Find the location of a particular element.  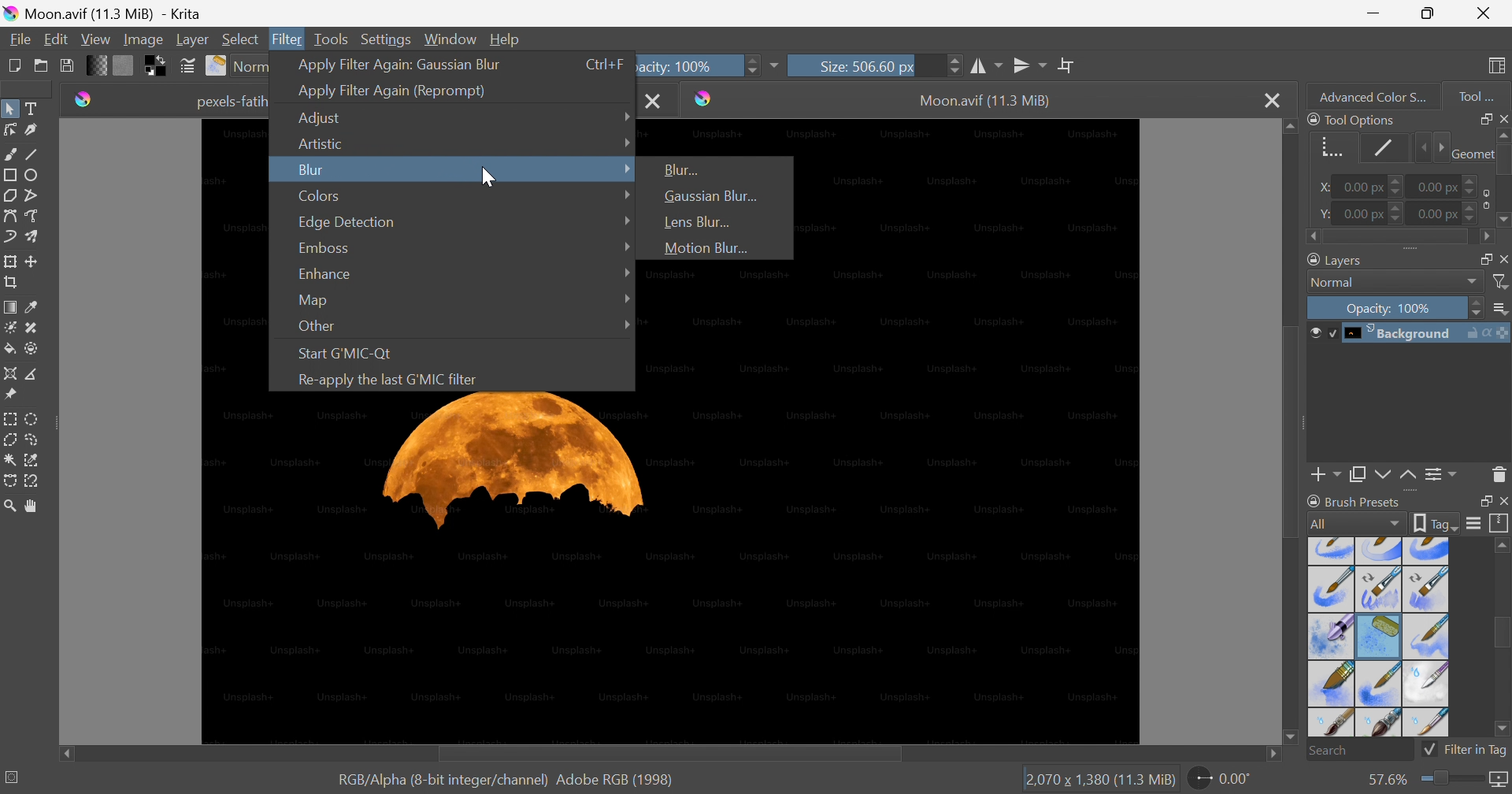

 is located at coordinates (1351, 121).